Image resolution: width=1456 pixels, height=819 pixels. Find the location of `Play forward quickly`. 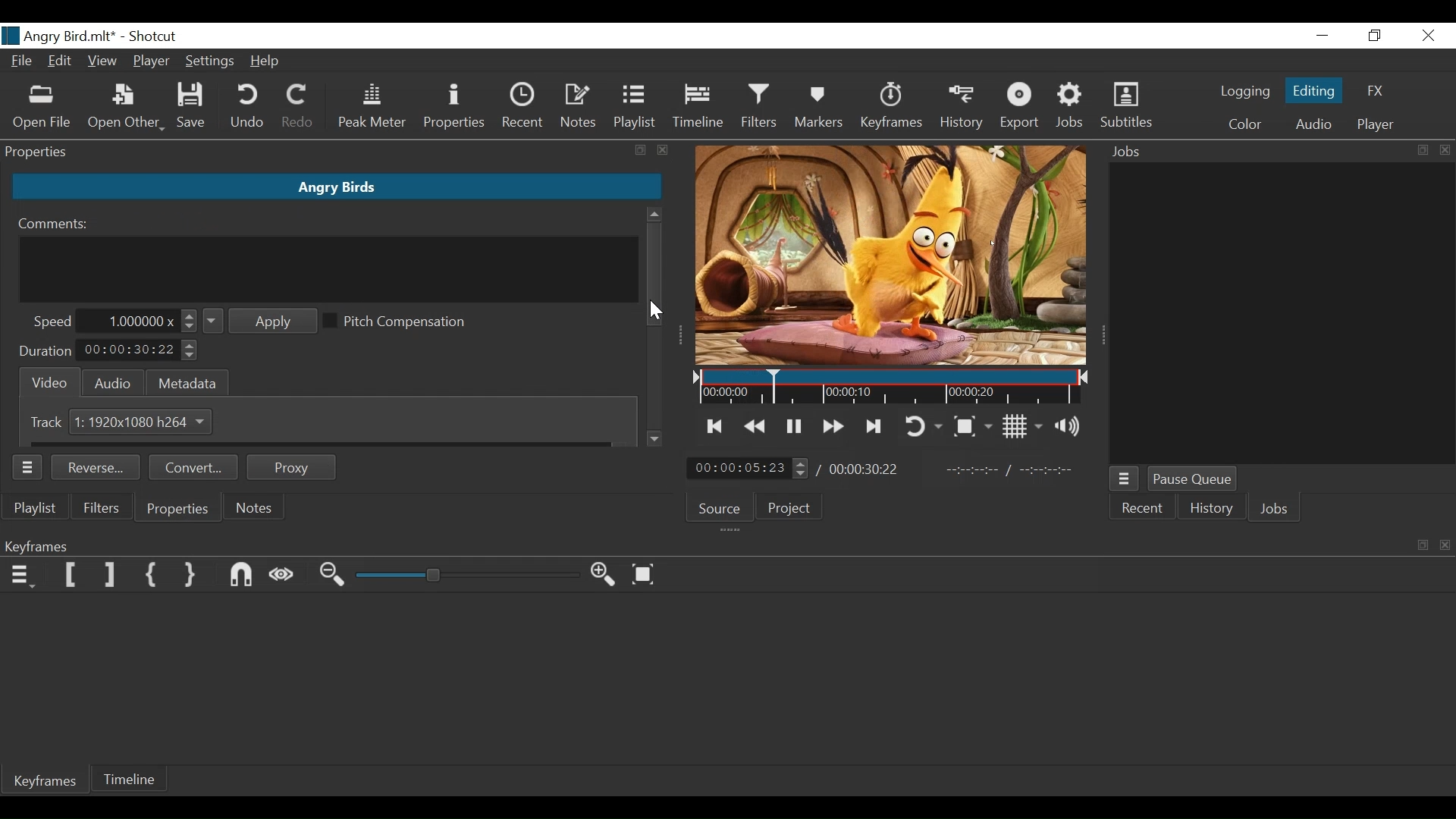

Play forward quickly is located at coordinates (831, 425).